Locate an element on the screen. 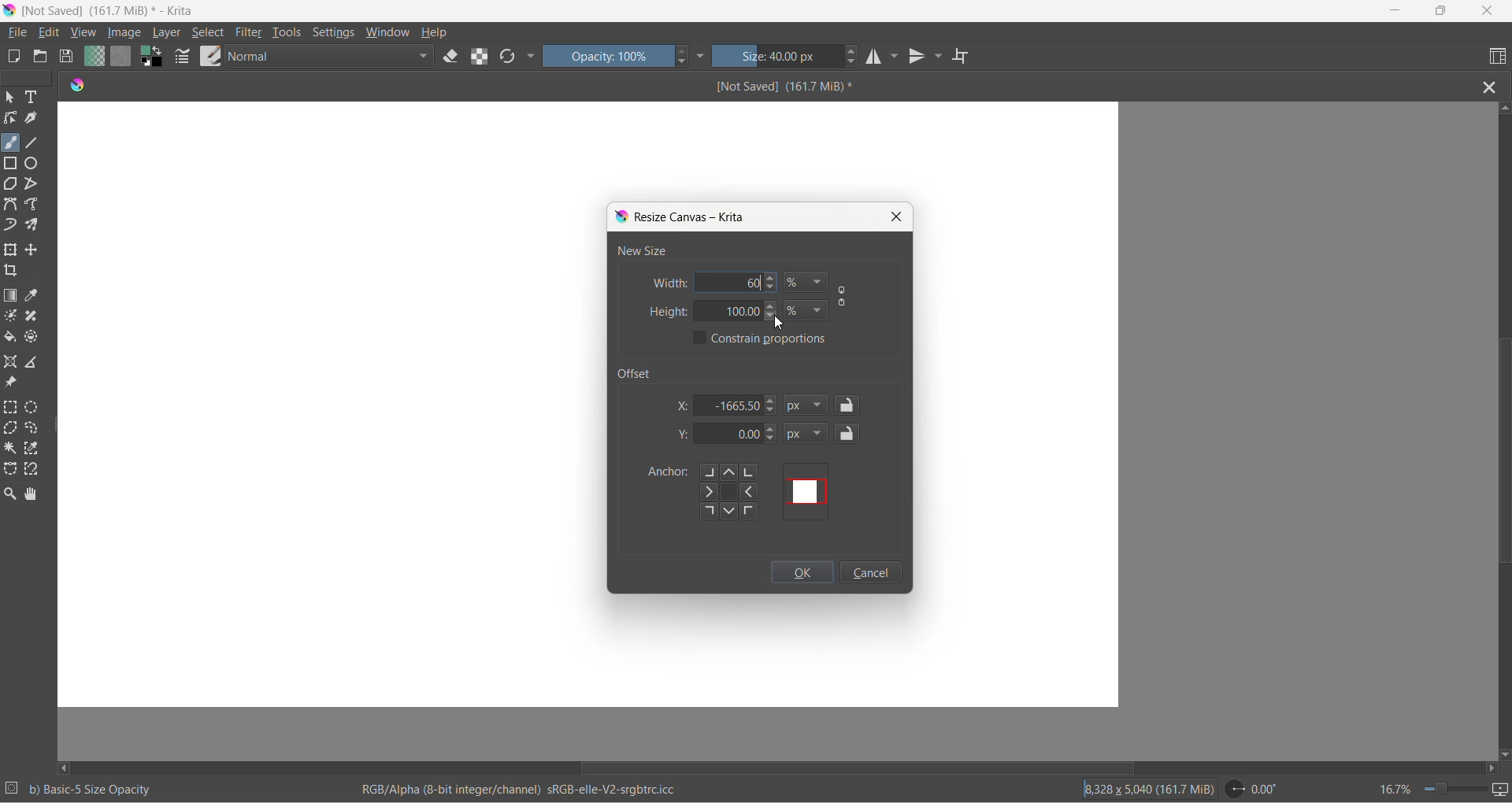 This screenshot has height=803, width=1512. y-axis value lock is located at coordinates (849, 433).